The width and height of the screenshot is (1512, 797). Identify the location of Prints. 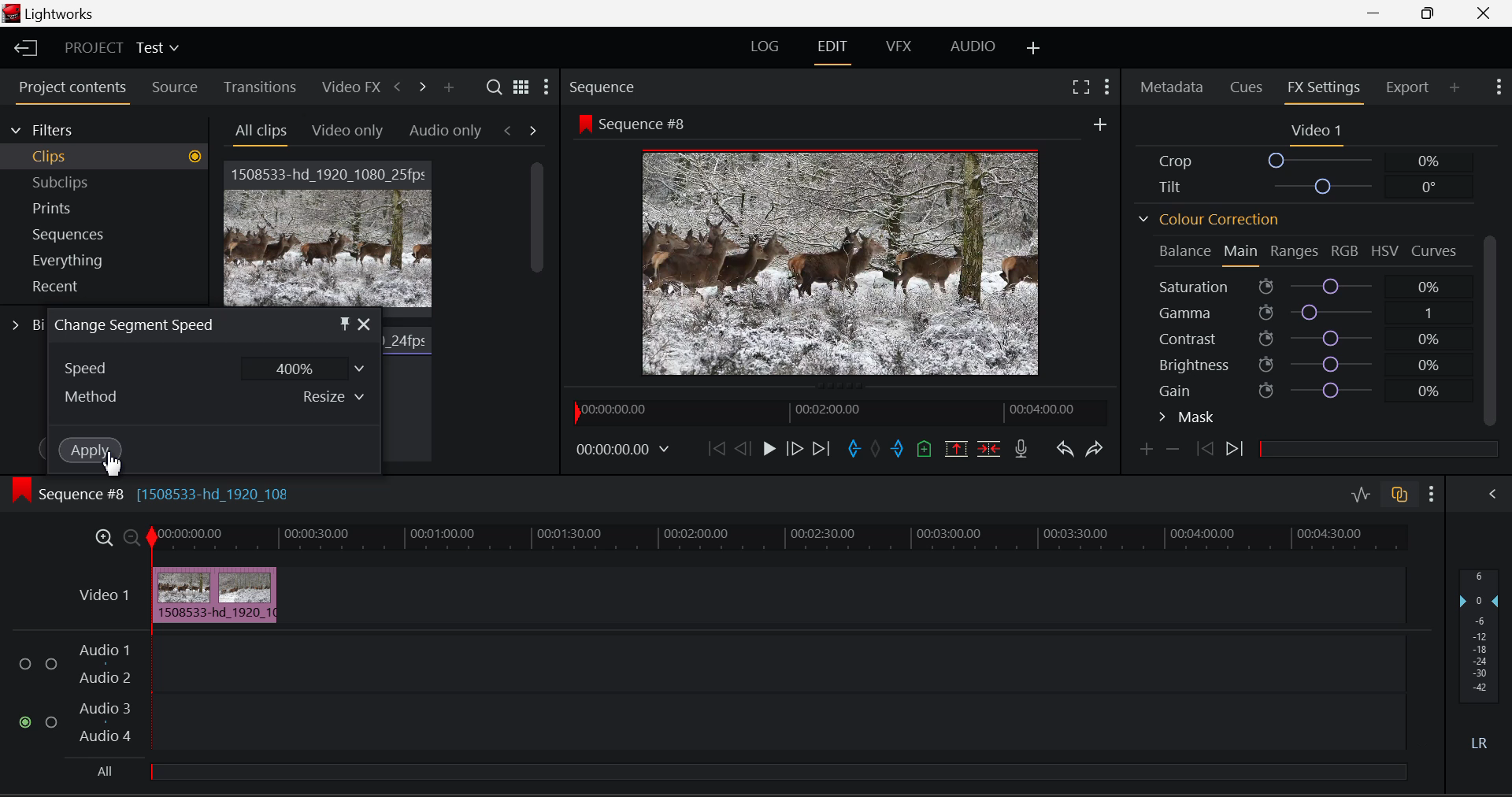
(113, 210).